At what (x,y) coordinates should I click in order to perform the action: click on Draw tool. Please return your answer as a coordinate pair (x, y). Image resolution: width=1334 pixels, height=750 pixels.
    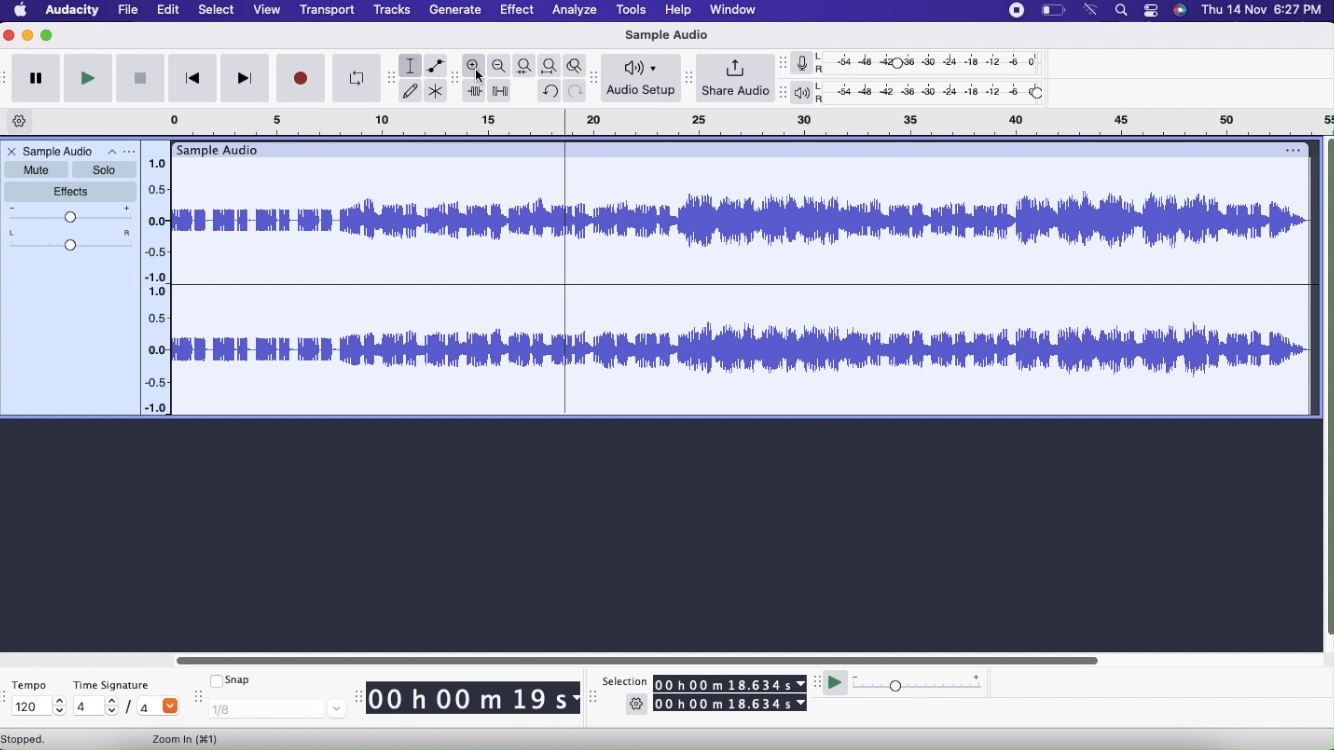
    Looking at the image, I should click on (411, 90).